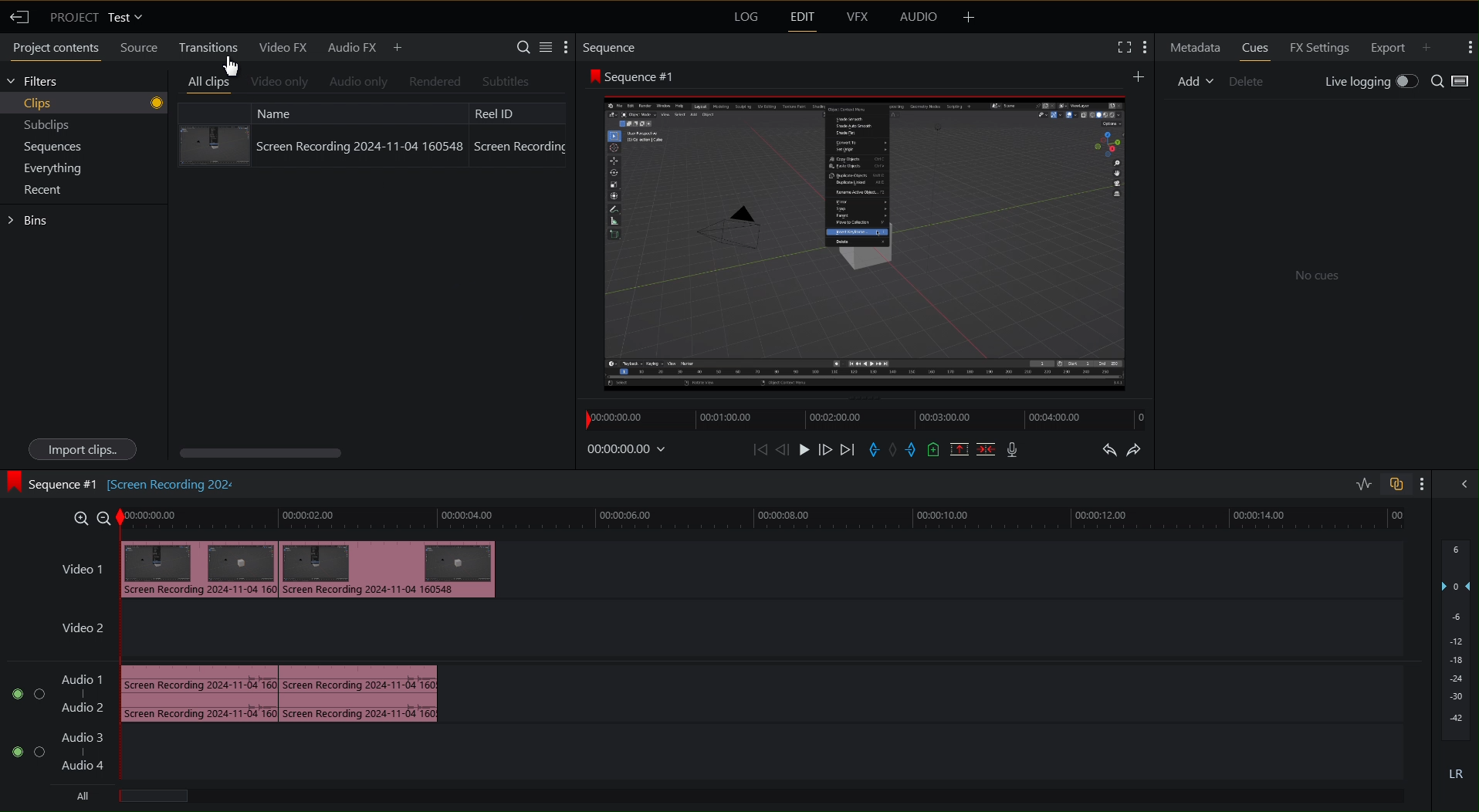 The image size is (1479, 812). Describe the element at coordinates (364, 46) in the screenshot. I see `Audio FX` at that location.